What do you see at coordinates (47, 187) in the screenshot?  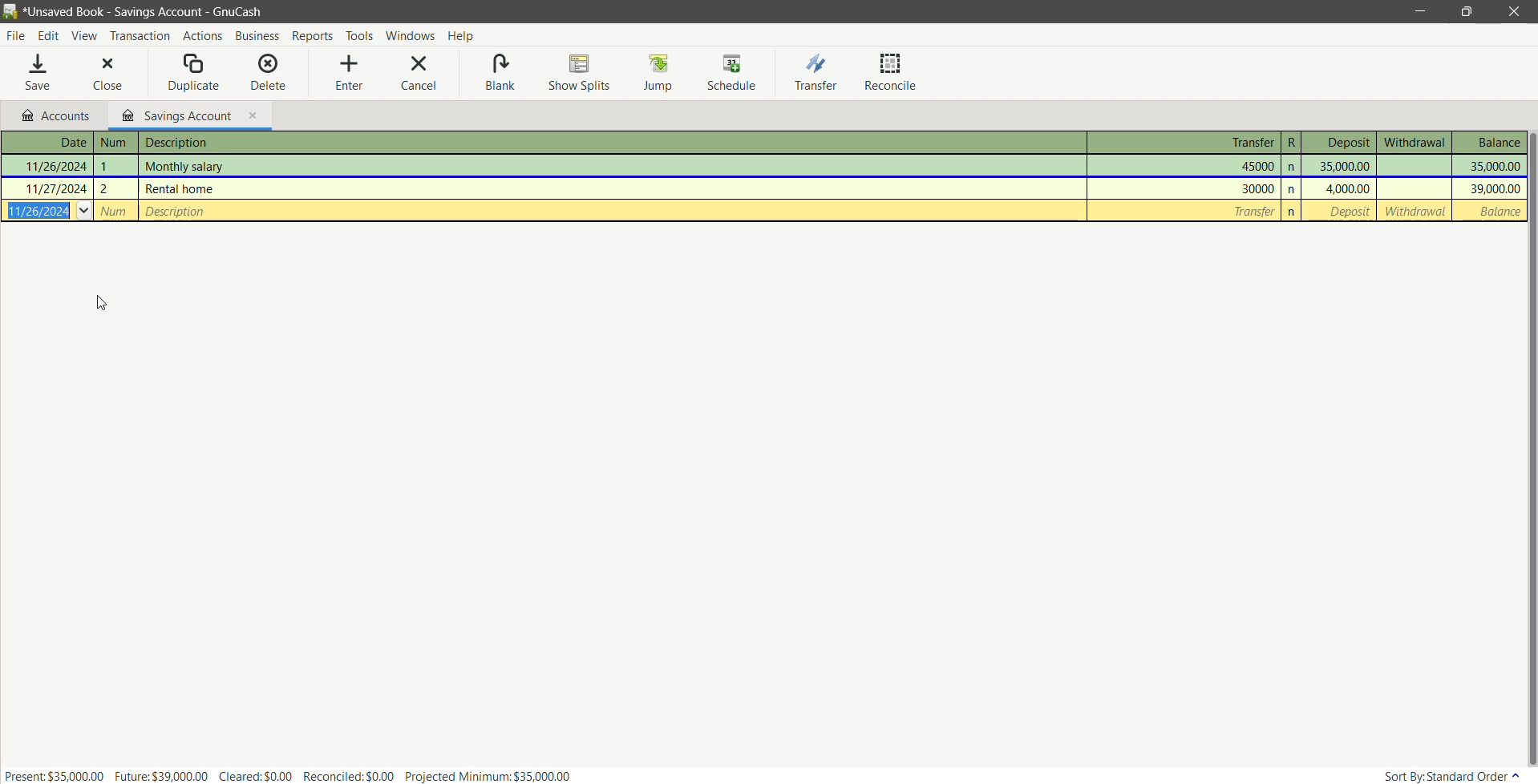 I see `11/27/2024` at bounding box center [47, 187].